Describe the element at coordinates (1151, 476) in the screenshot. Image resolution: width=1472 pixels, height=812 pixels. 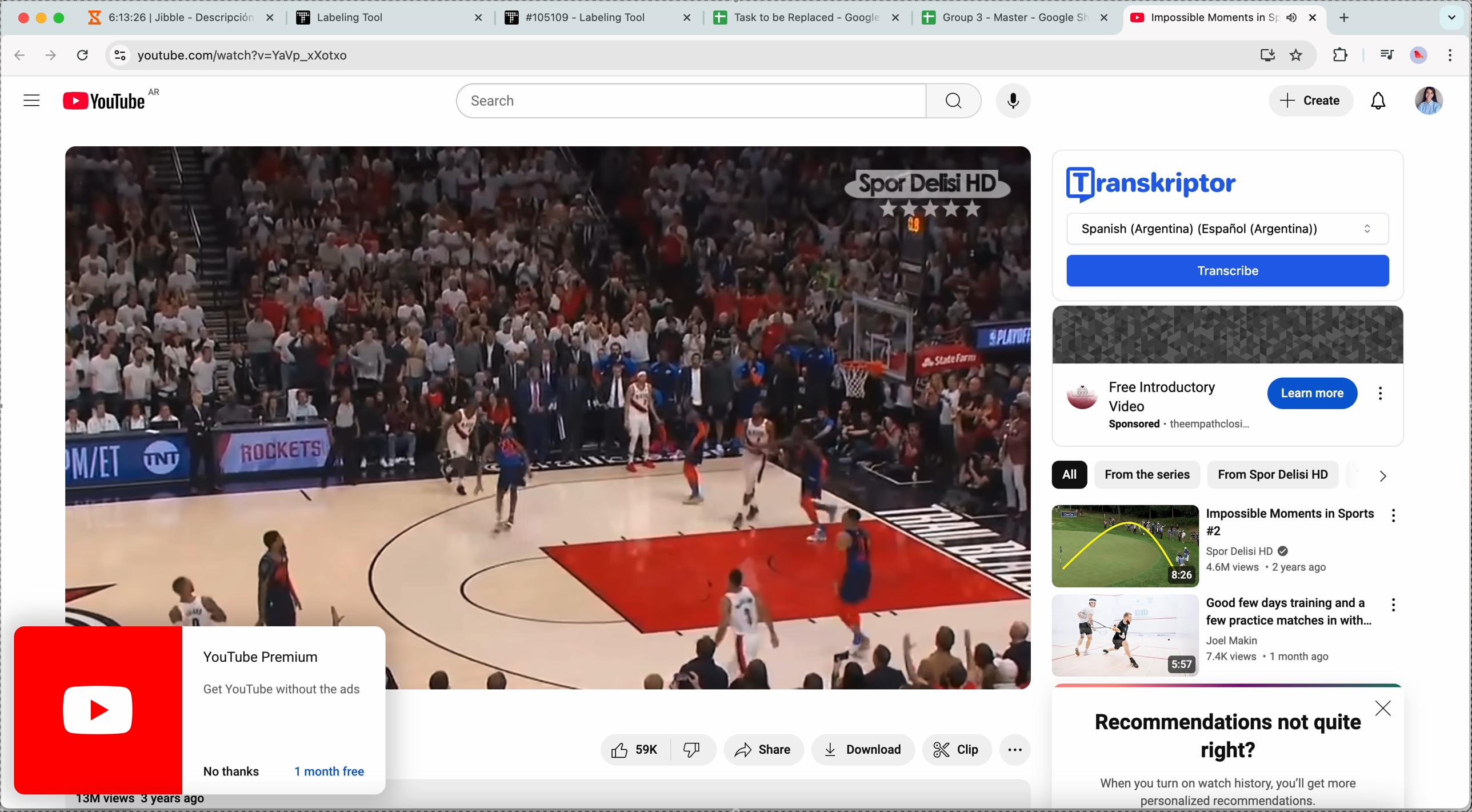
I see `from the series` at that location.